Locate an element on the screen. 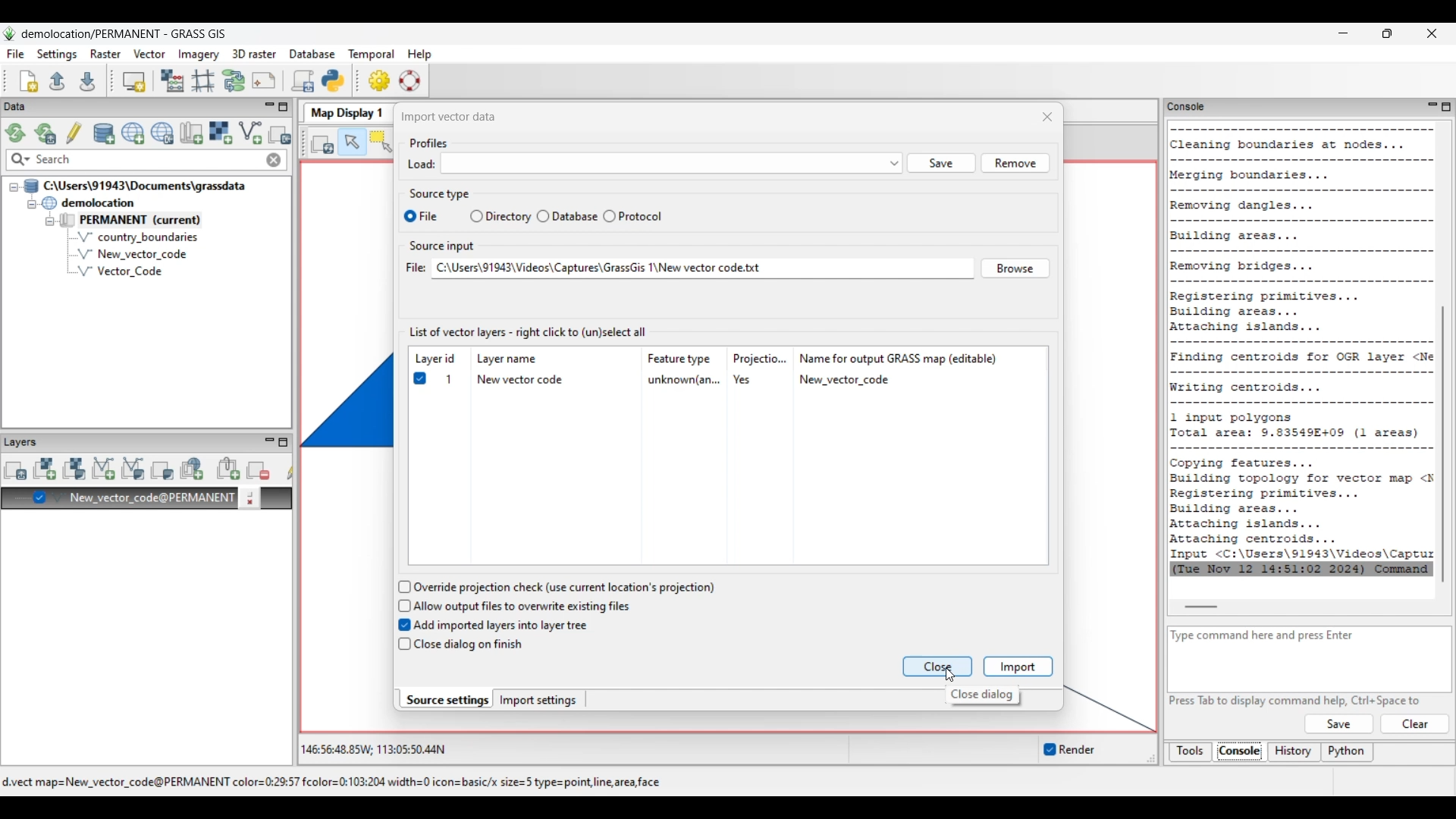  Maximize Data panel is located at coordinates (284, 107).